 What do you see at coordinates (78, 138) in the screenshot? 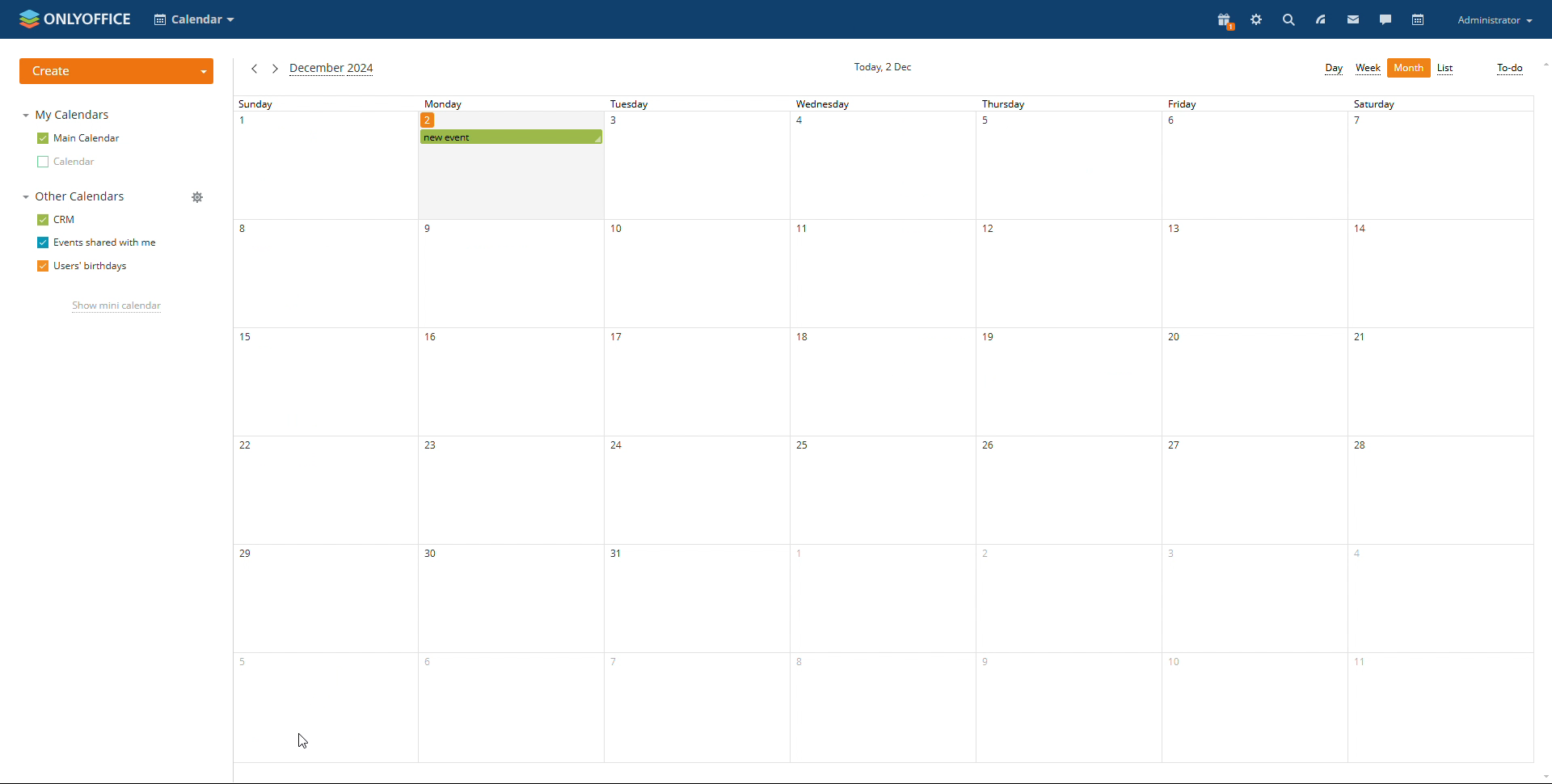
I see `main calendar` at bounding box center [78, 138].